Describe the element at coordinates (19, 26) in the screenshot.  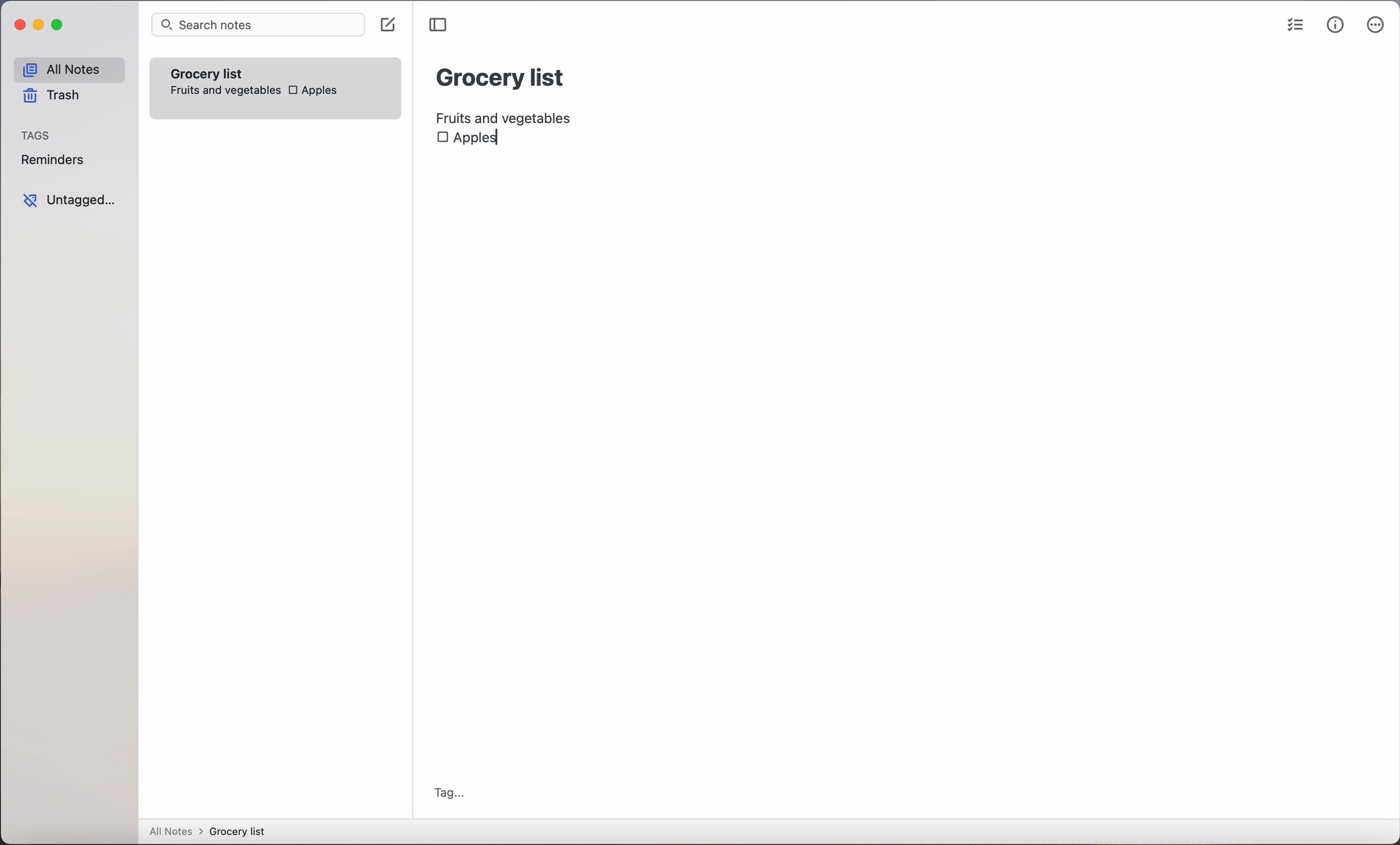
I see `close Simplenote` at that location.